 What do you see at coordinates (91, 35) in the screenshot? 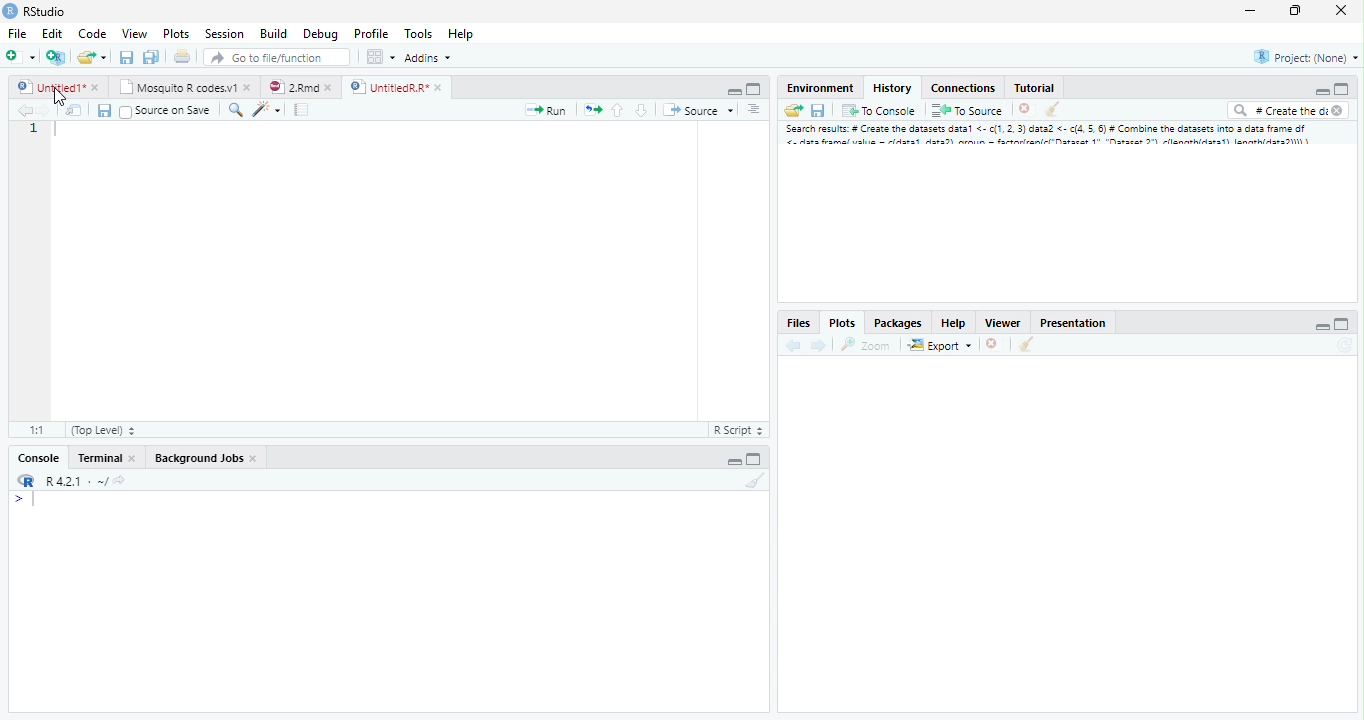
I see `Code` at bounding box center [91, 35].